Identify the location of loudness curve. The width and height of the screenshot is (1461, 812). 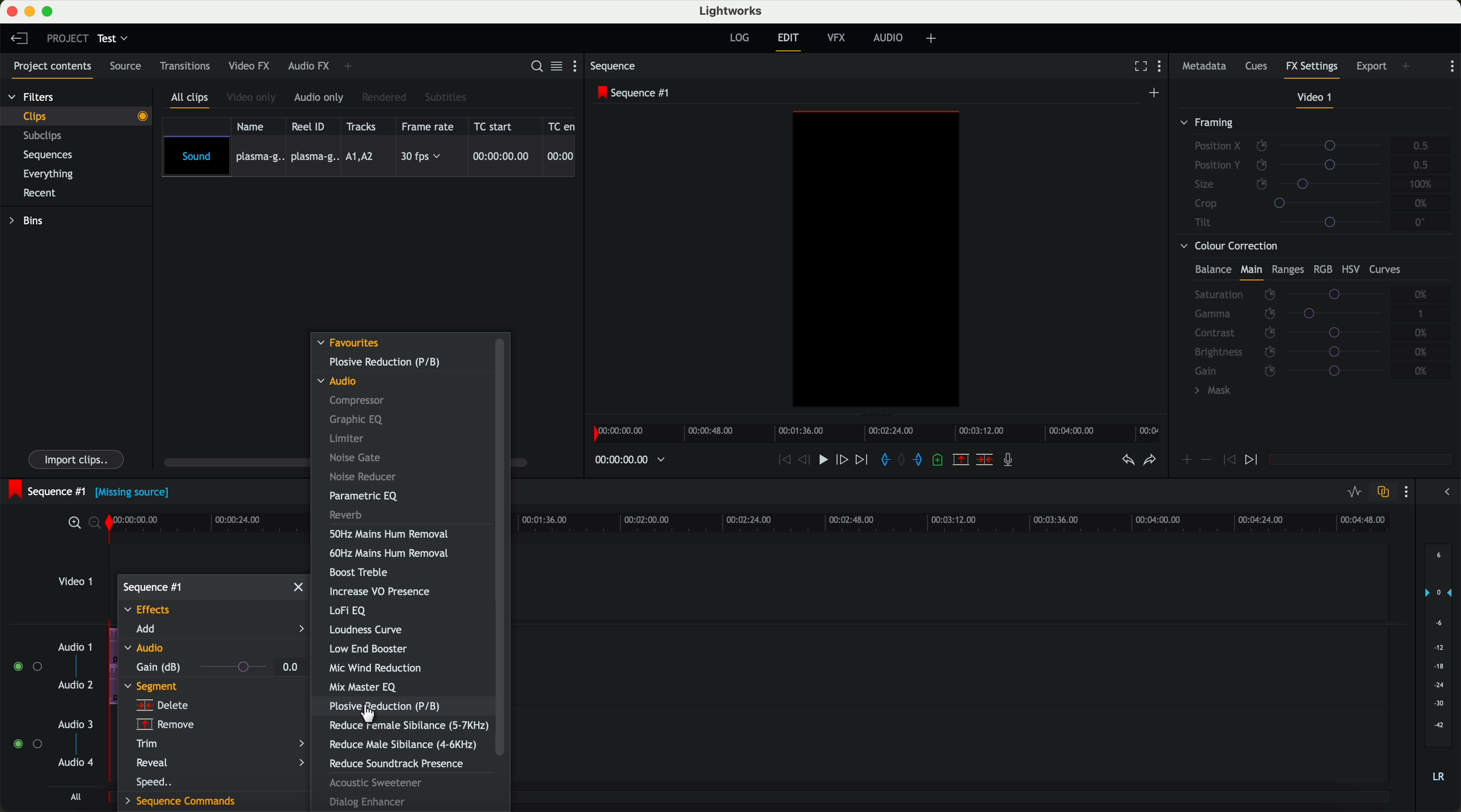
(366, 631).